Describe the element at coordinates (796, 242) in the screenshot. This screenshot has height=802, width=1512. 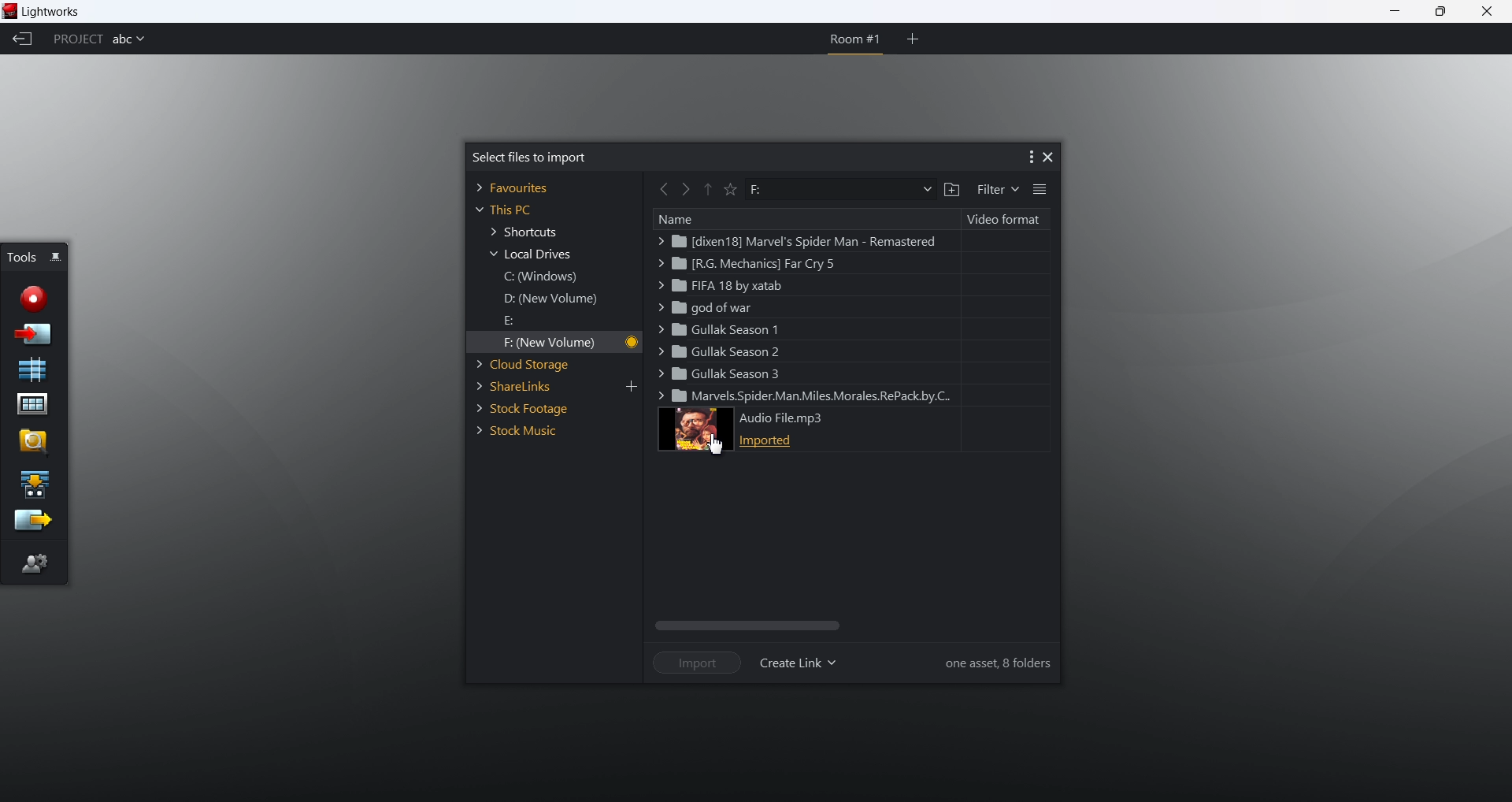
I see `marvel spider man` at that location.